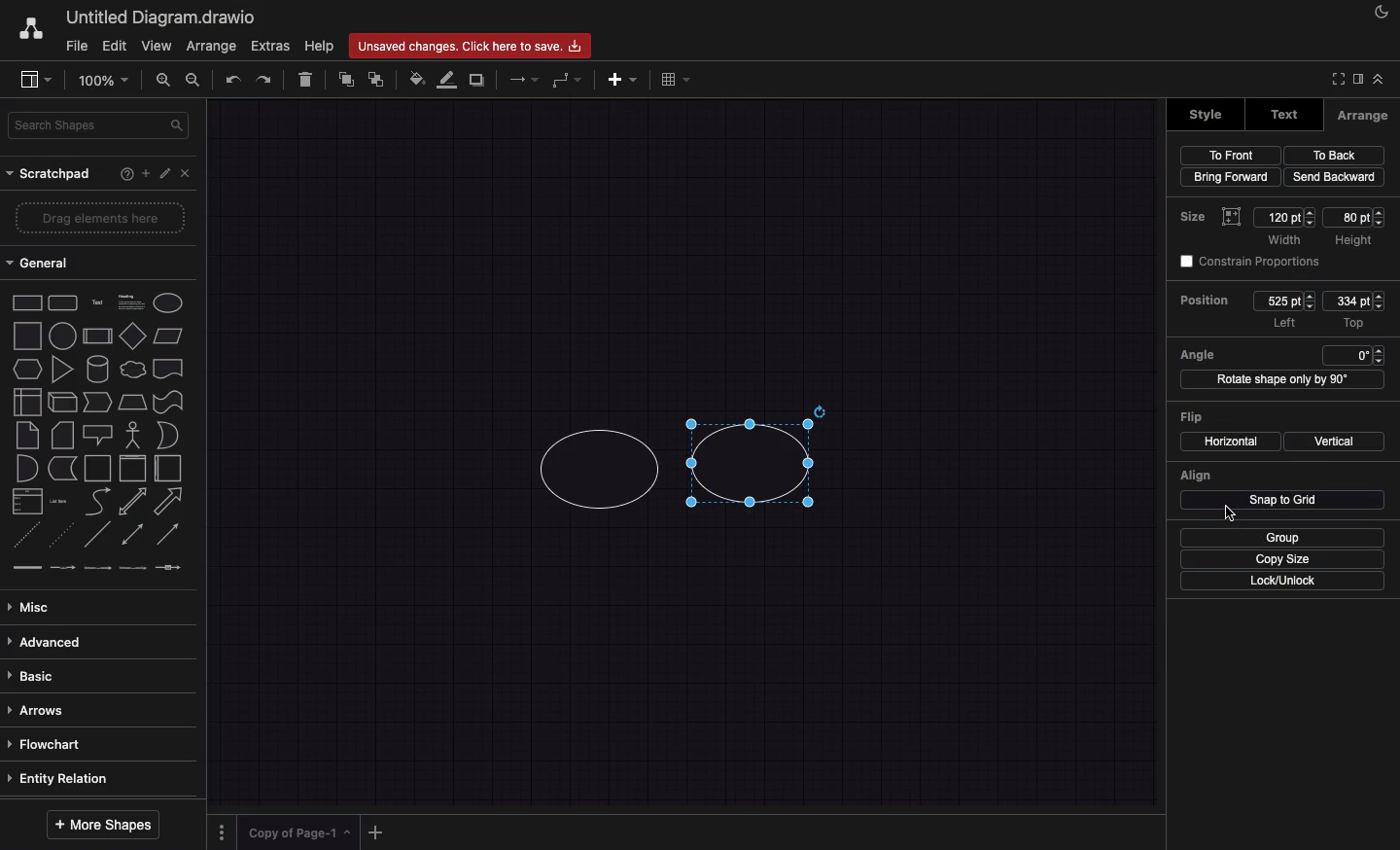 Image resolution: width=1400 pixels, height=850 pixels. Describe the element at coordinates (26, 370) in the screenshot. I see `hexagon` at that location.